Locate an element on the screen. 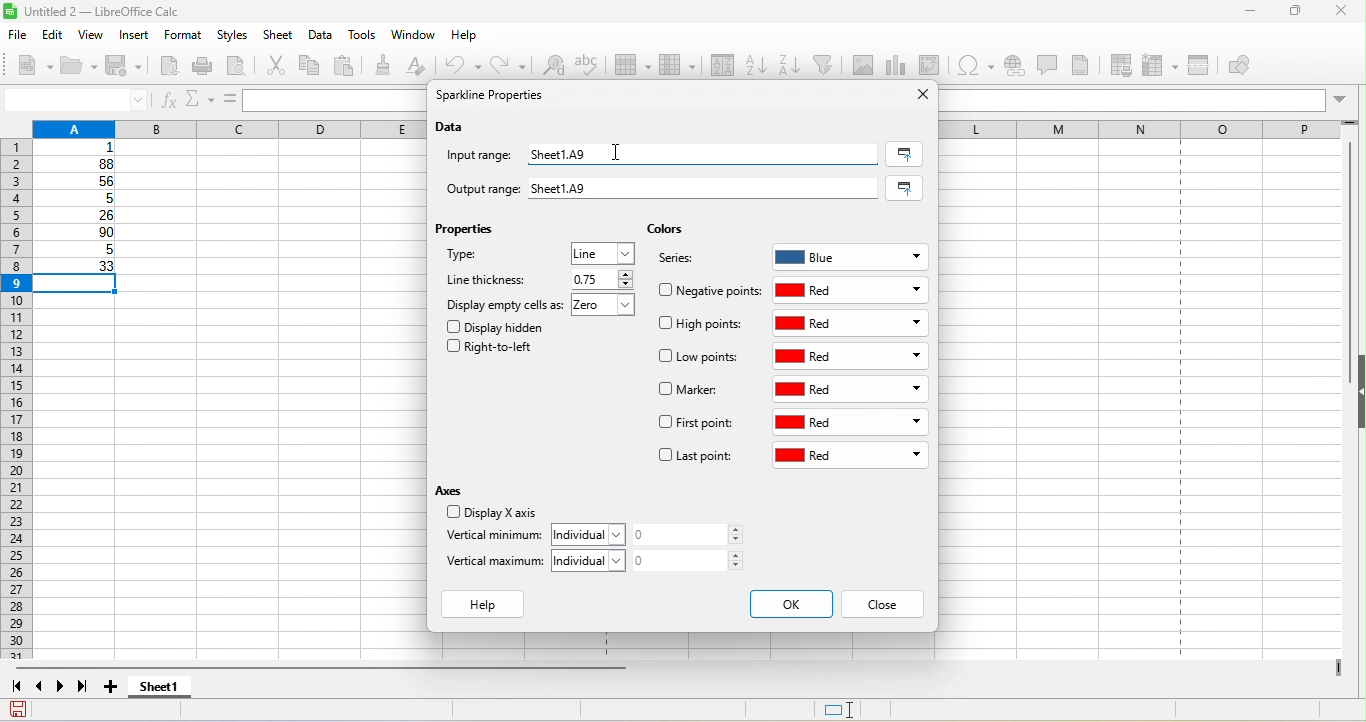 This screenshot has width=1366, height=722. input range is located at coordinates (482, 157).